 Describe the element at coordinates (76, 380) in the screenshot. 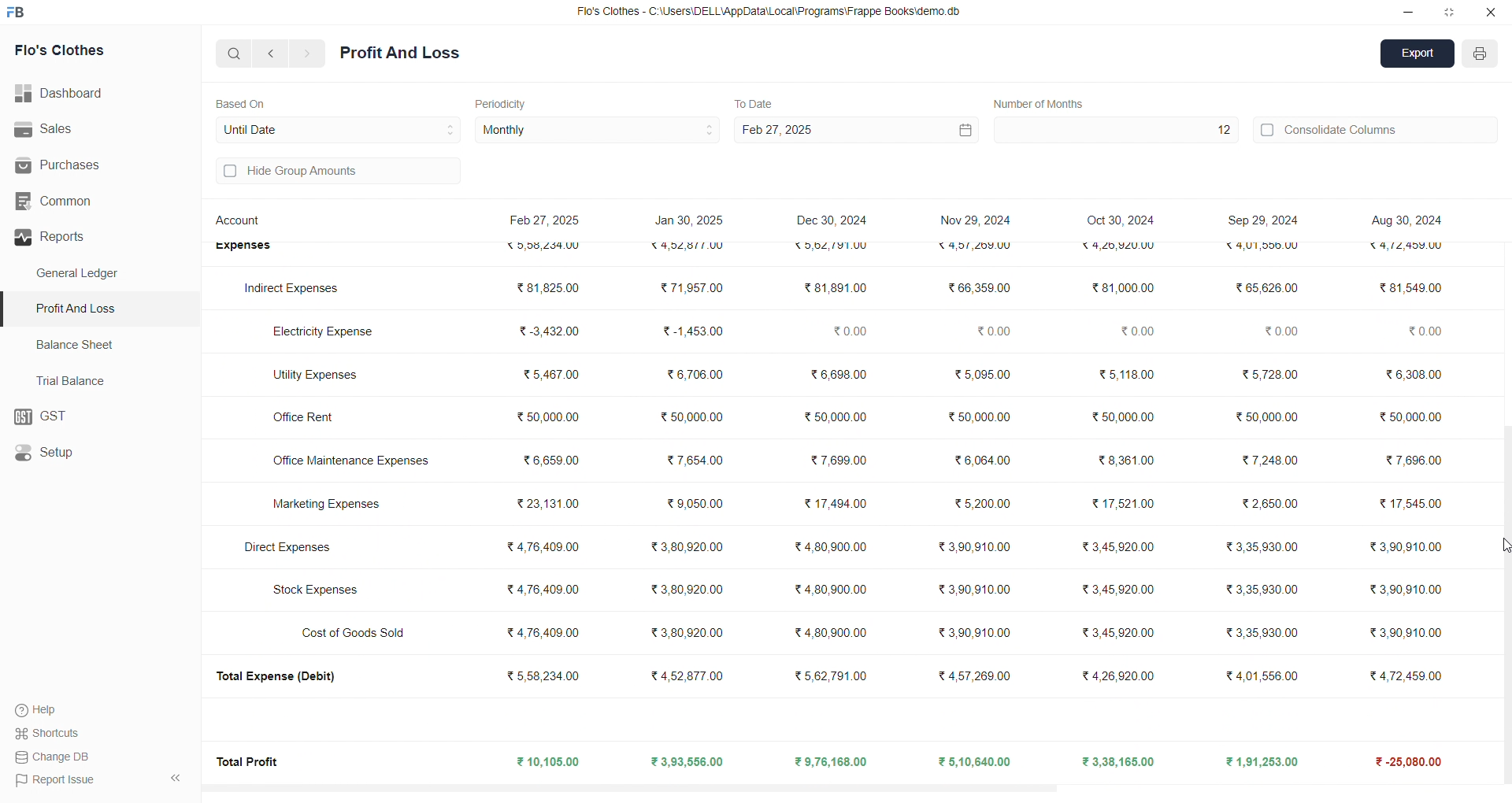

I see `Trial Balance` at that location.